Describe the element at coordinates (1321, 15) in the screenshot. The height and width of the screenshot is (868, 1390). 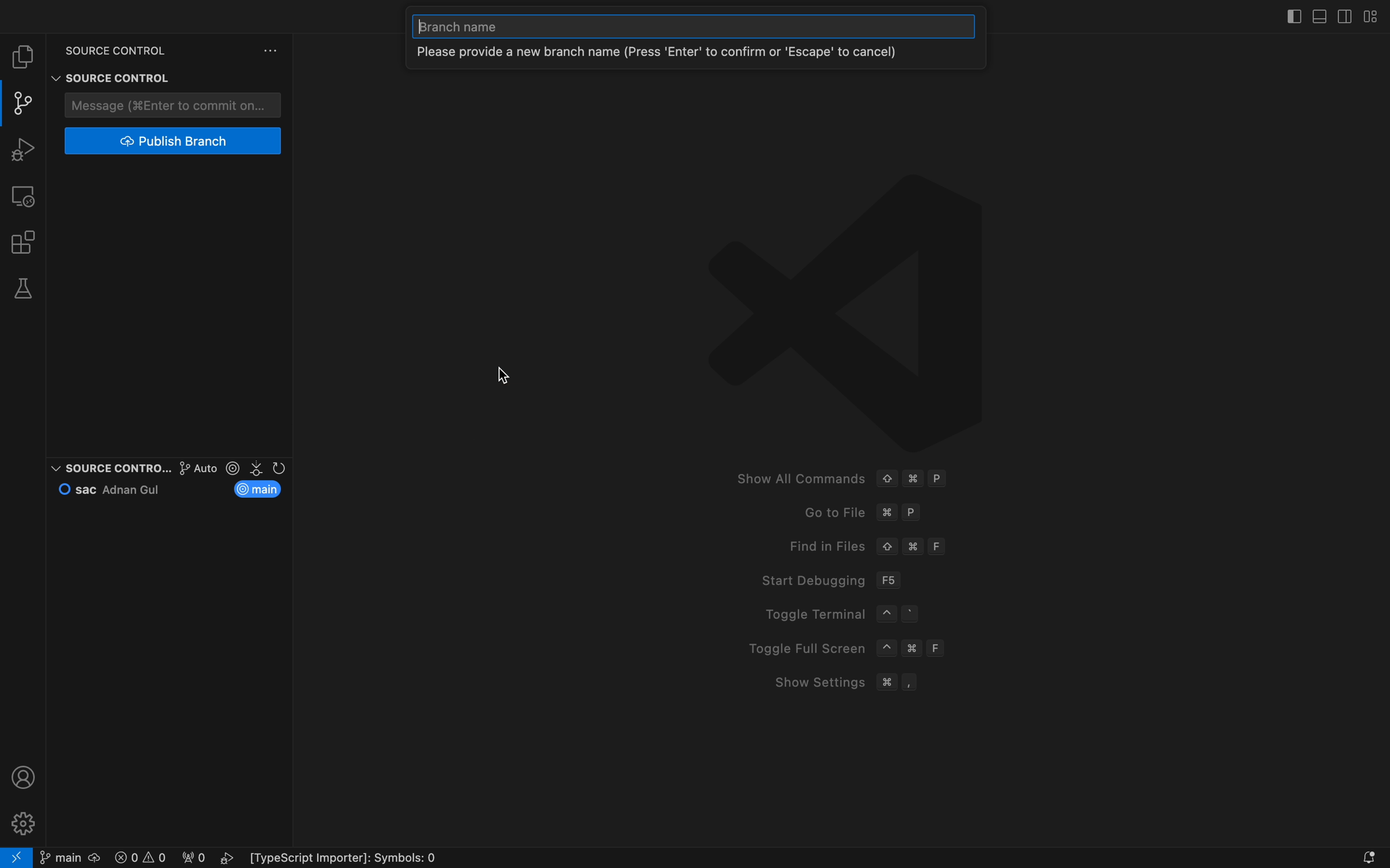
I see `toggle primary bar` at that location.